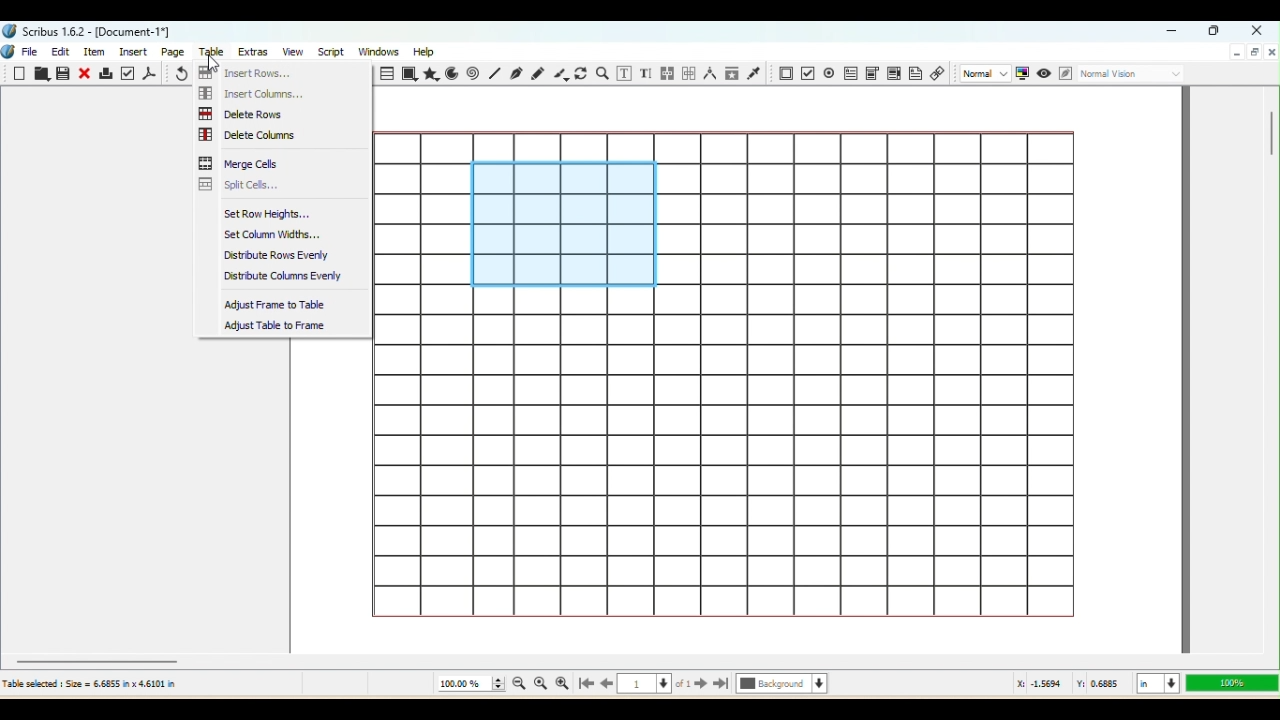 This screenshot has width=1280, height=720. I want to click on Table, so click(215, 53).